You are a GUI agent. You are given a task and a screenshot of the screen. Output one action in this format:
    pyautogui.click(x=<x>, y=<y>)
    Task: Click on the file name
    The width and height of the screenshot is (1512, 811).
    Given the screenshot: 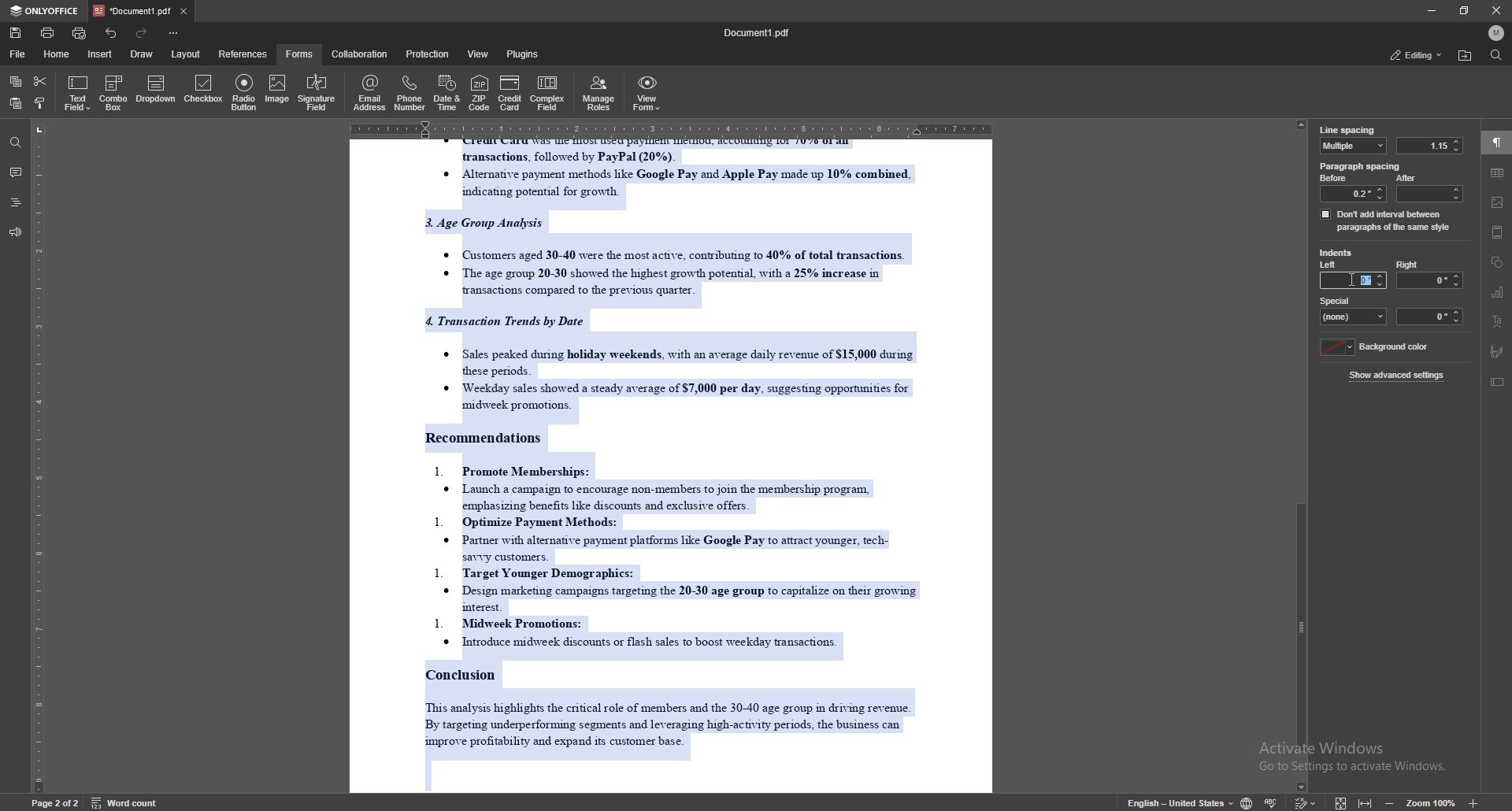 What is the action you would take?
    pyautogui.click(x=758, y=33)
    